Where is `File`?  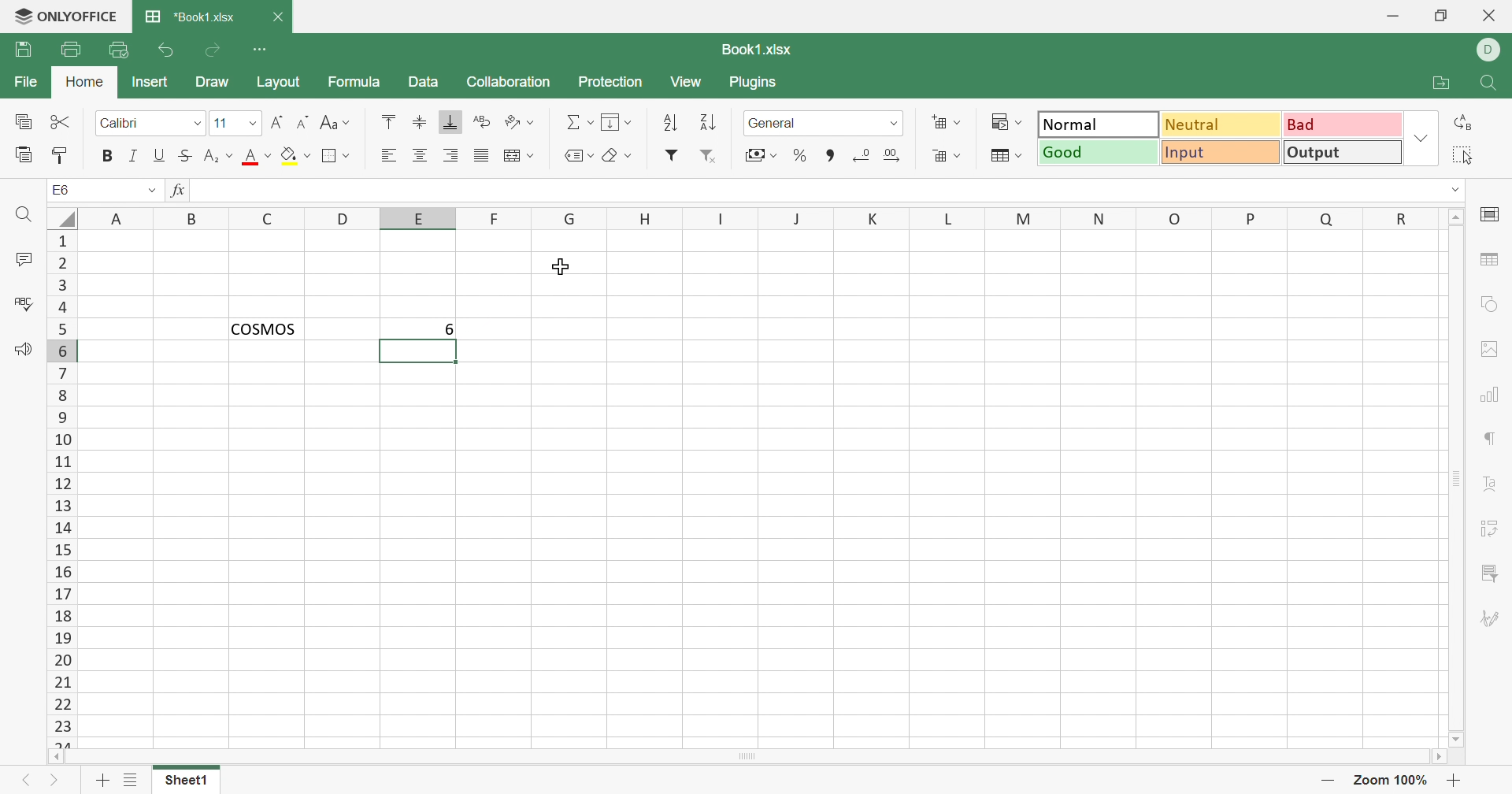 File is located at coordinates (27, 82).